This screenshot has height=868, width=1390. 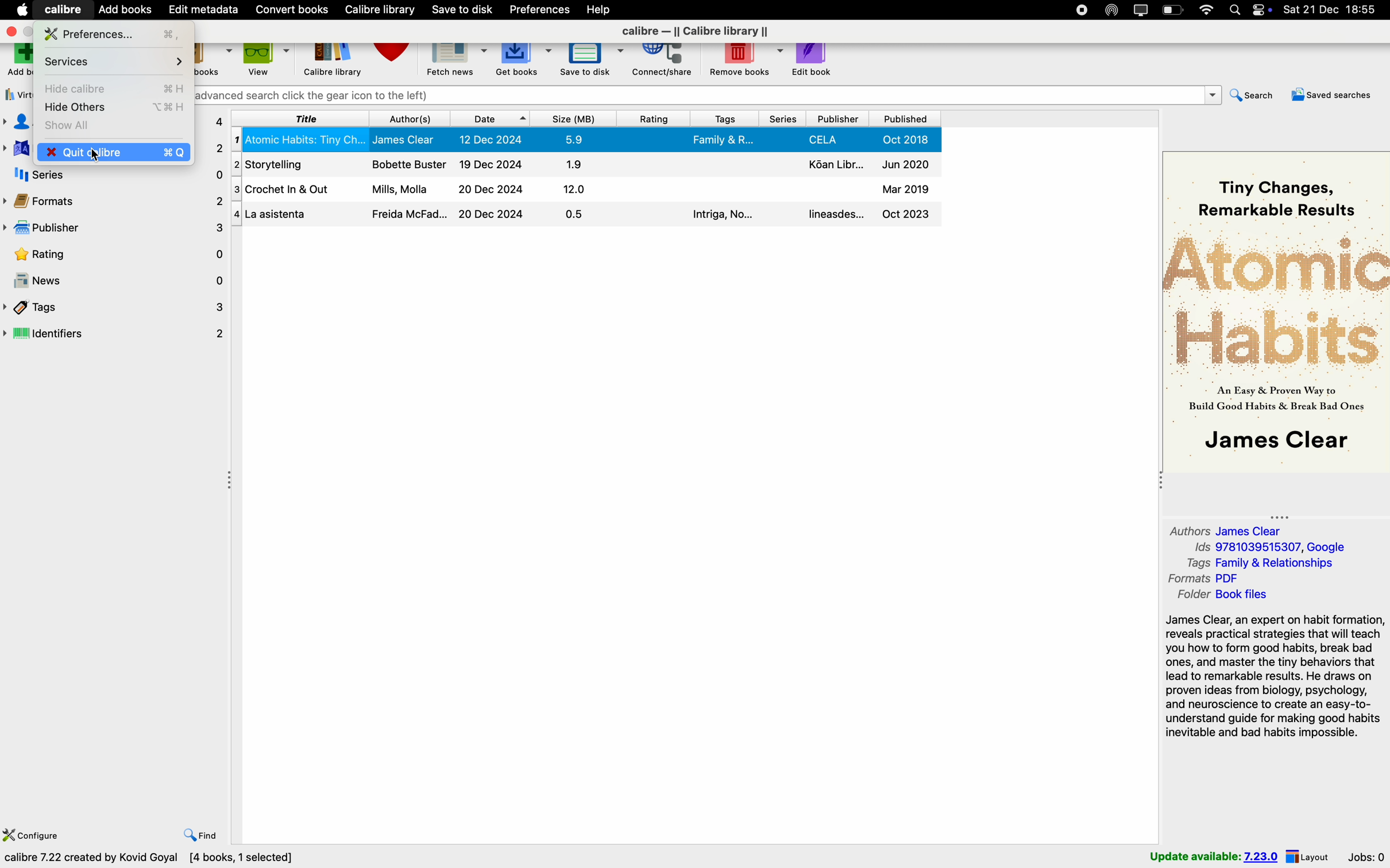 I want to click on tags, so click(x=723, y=118).